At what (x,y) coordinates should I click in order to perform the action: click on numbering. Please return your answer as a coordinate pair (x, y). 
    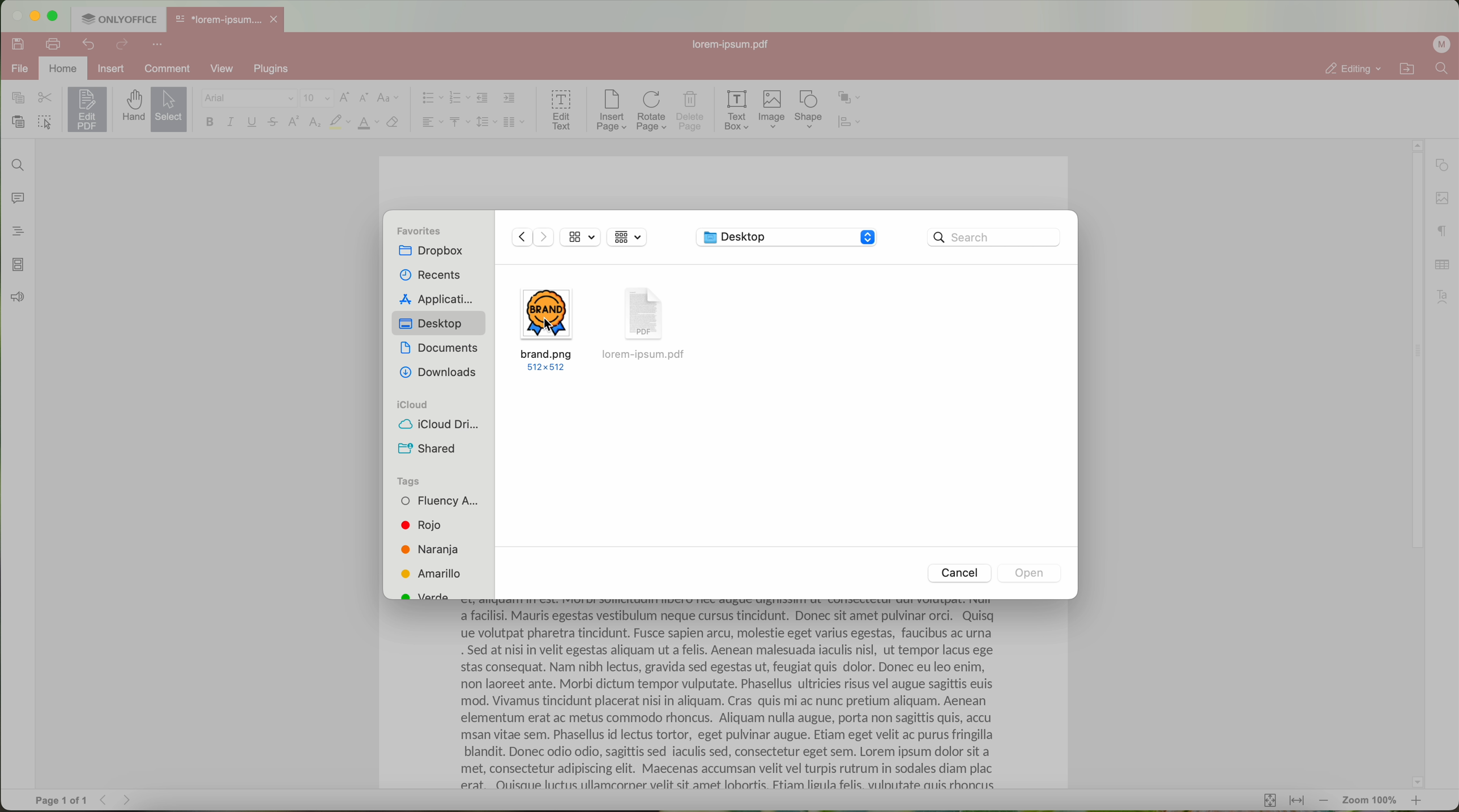
    Looking at the image, I should click on (459, 99).